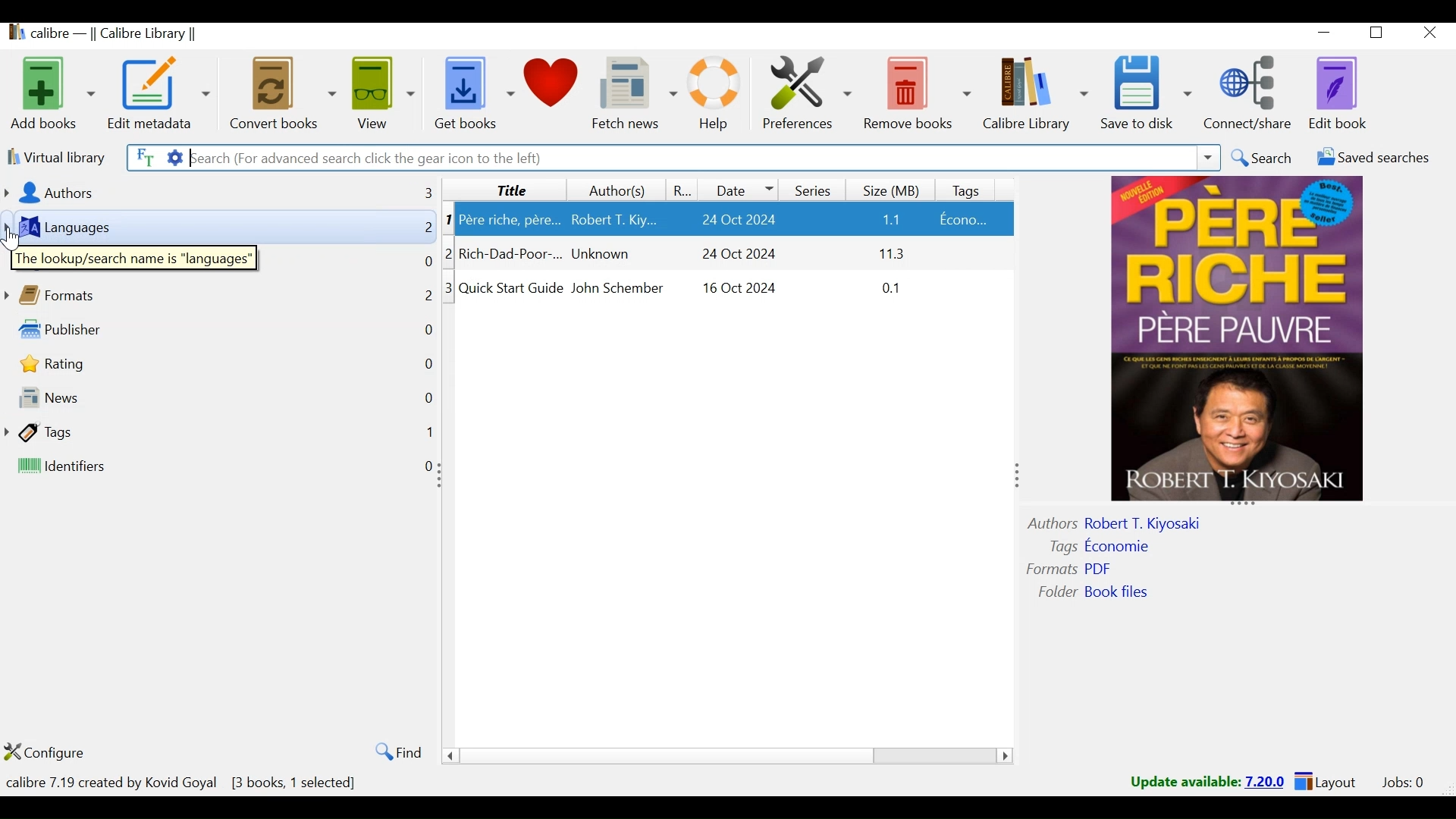  Describe the element at coordinates (686, 158) in the screenshot. I see `search (For advanced search click the gear icon to the left)` at that location.